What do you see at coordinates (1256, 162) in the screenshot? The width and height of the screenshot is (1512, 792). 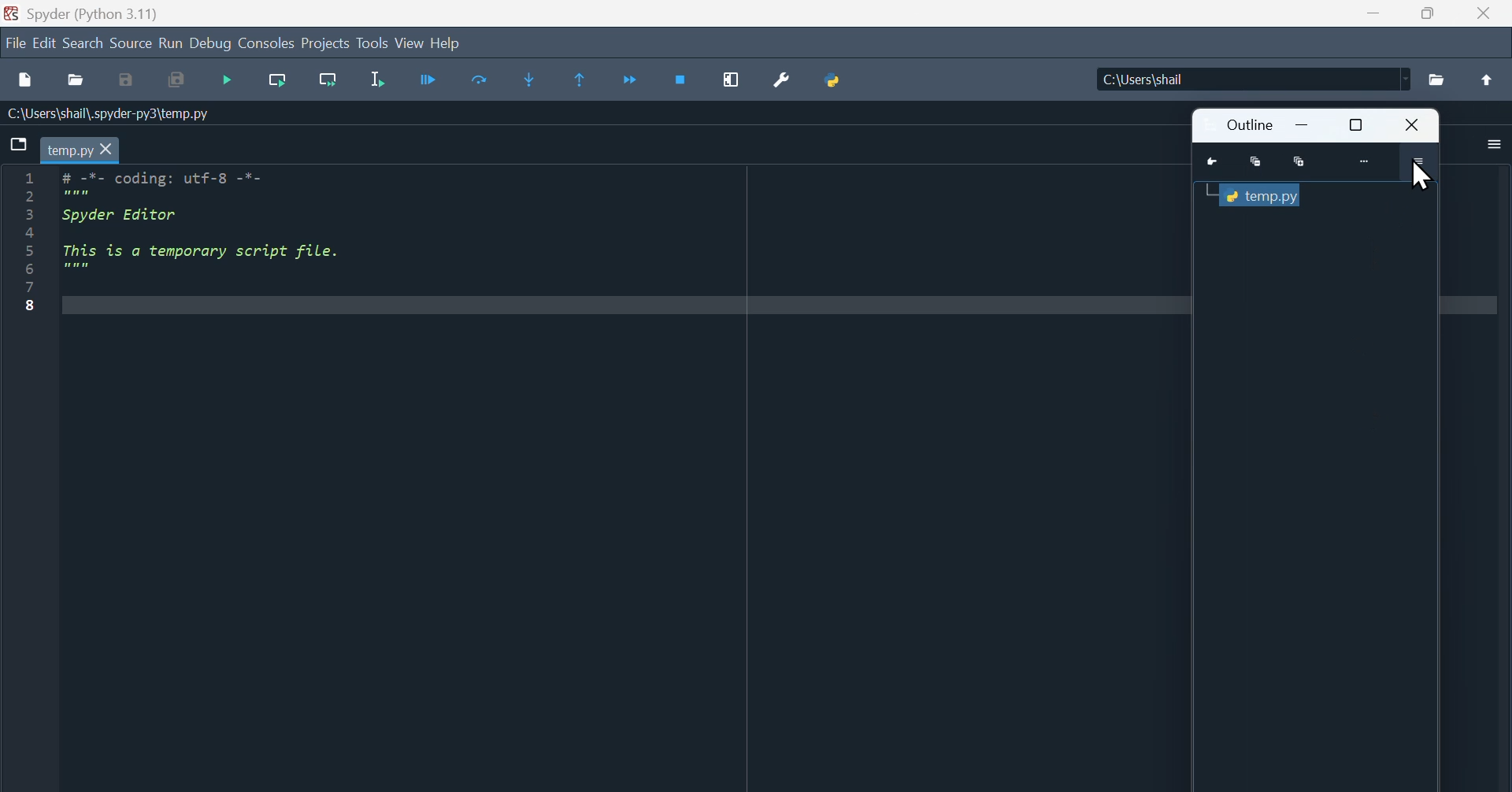 I see `Minimize` at bounding box center [1256, 162].